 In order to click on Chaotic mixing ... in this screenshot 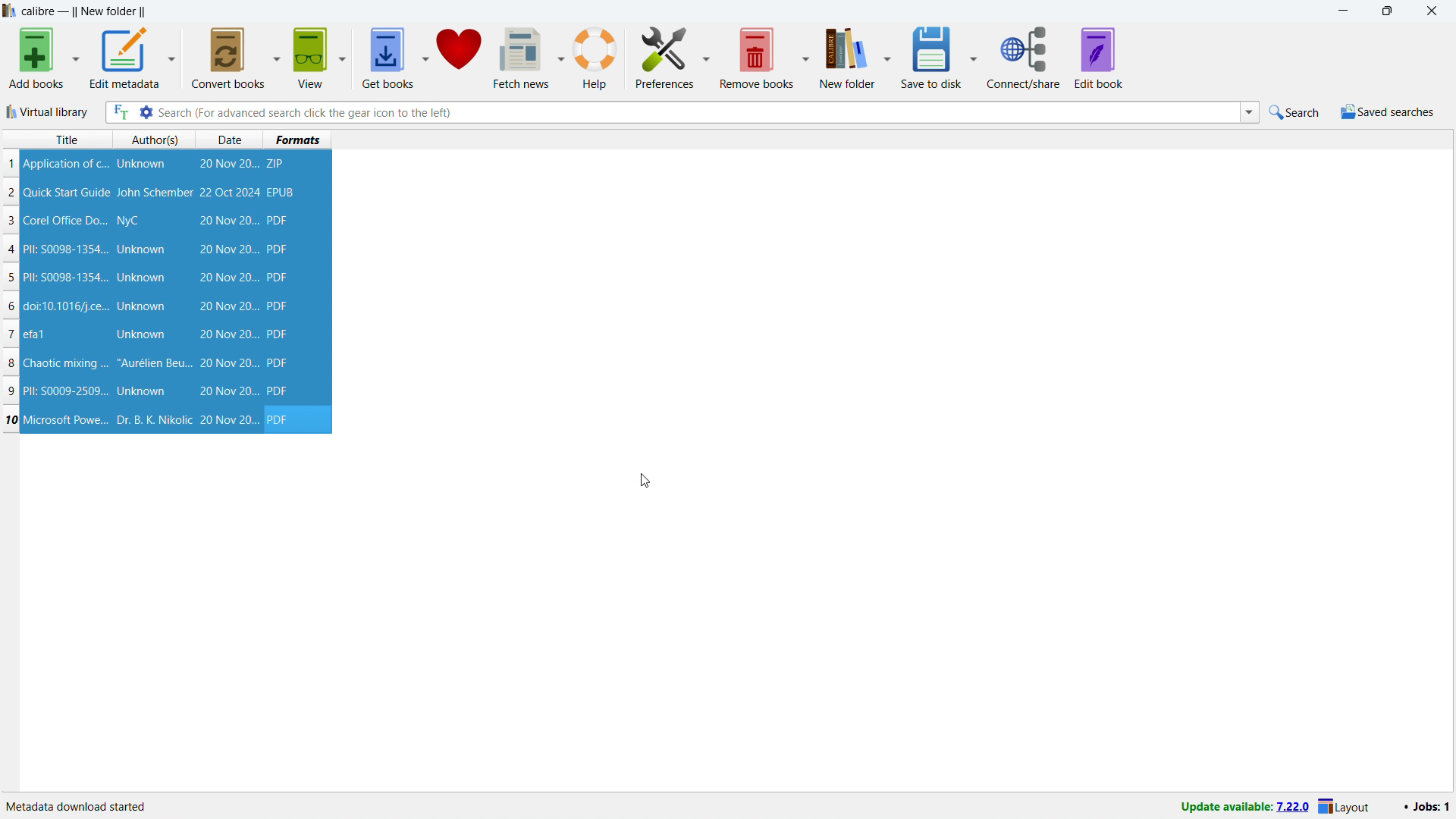, I will do `click(65, 364)`.